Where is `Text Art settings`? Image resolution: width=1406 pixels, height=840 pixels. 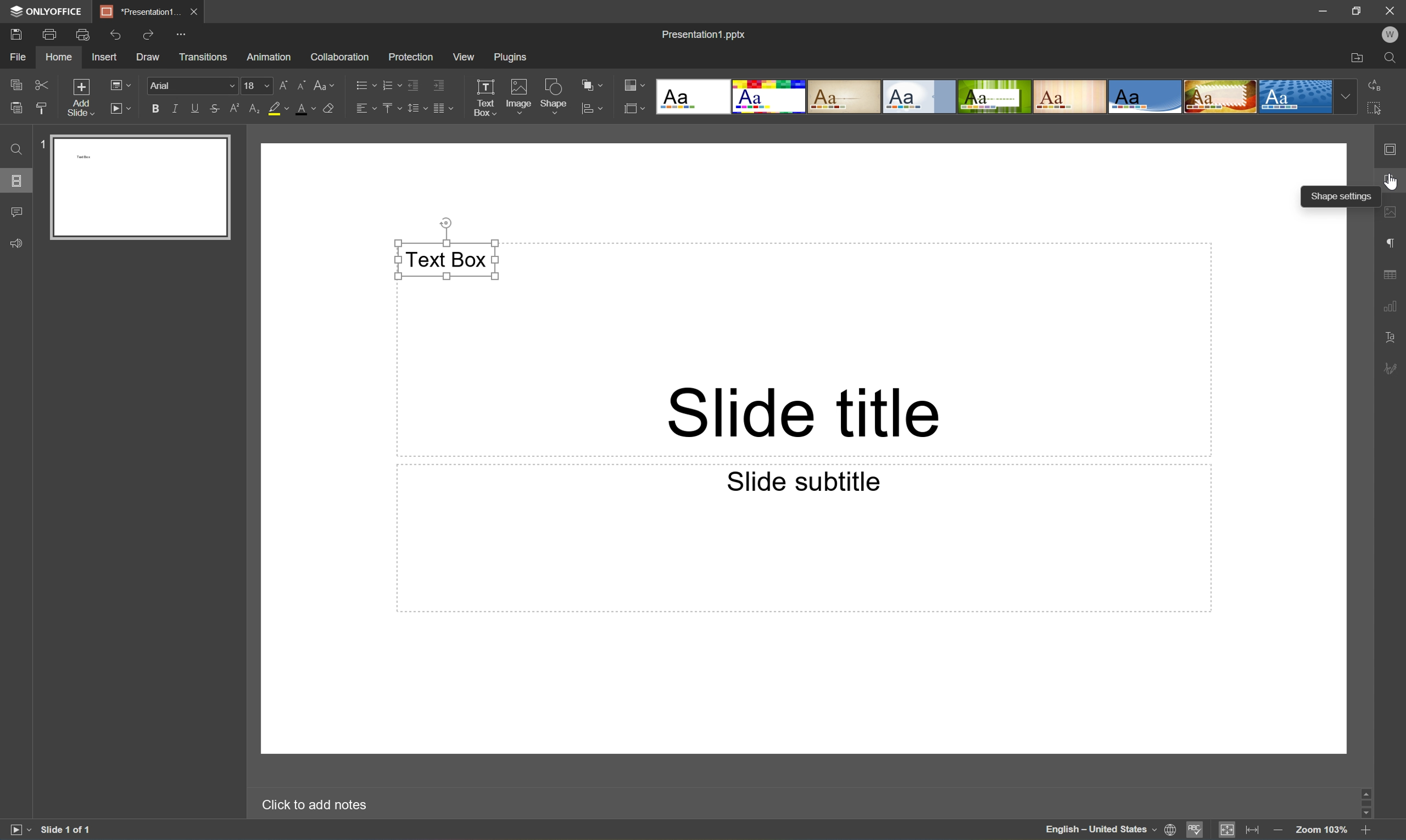 Text Art settings is located at coordinates (1394, 337).